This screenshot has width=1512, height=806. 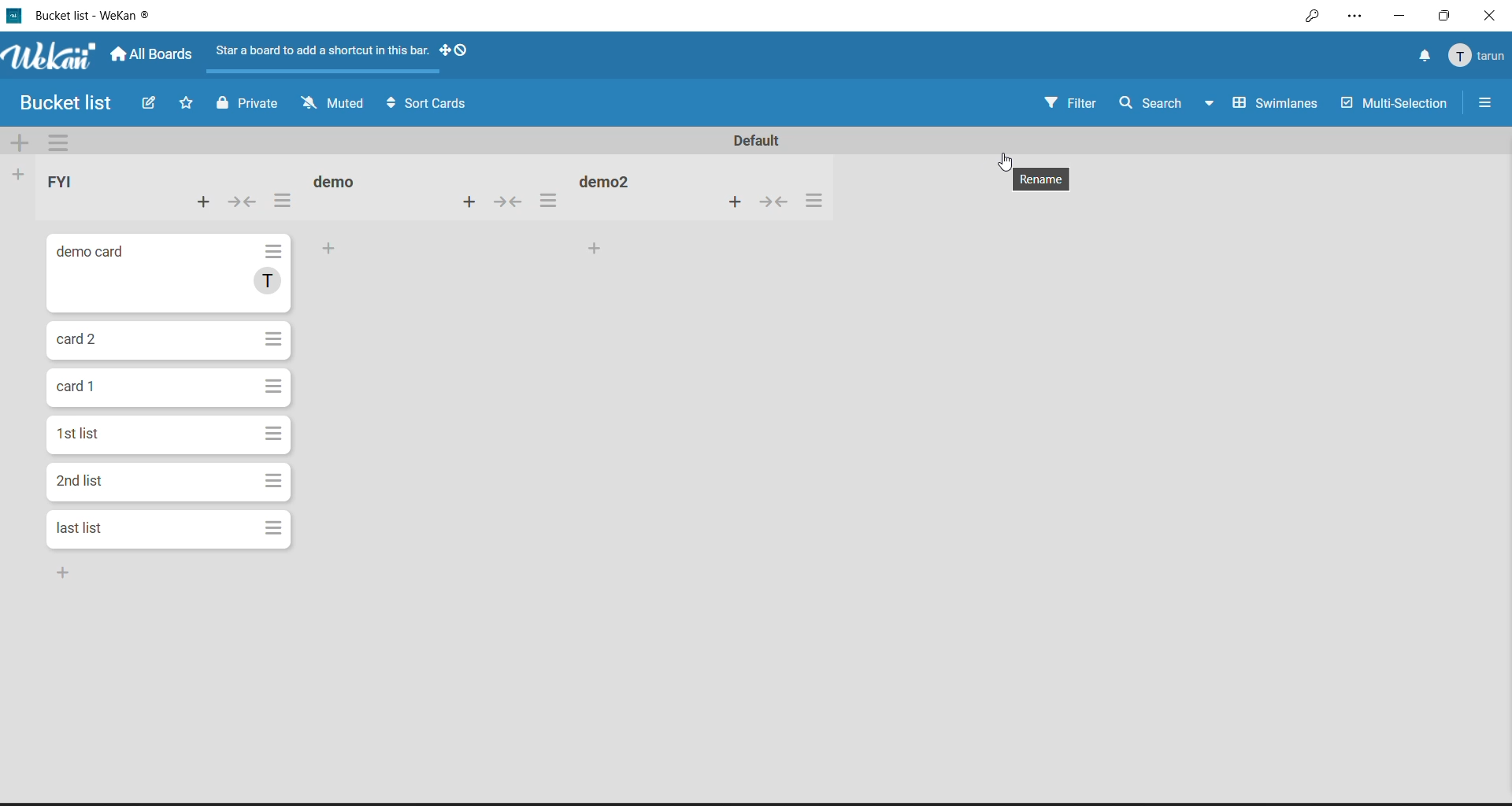 What do you see at coordinates (509, 201) in the screenshot?
I see `collapse` at bounding box center [509, 201].